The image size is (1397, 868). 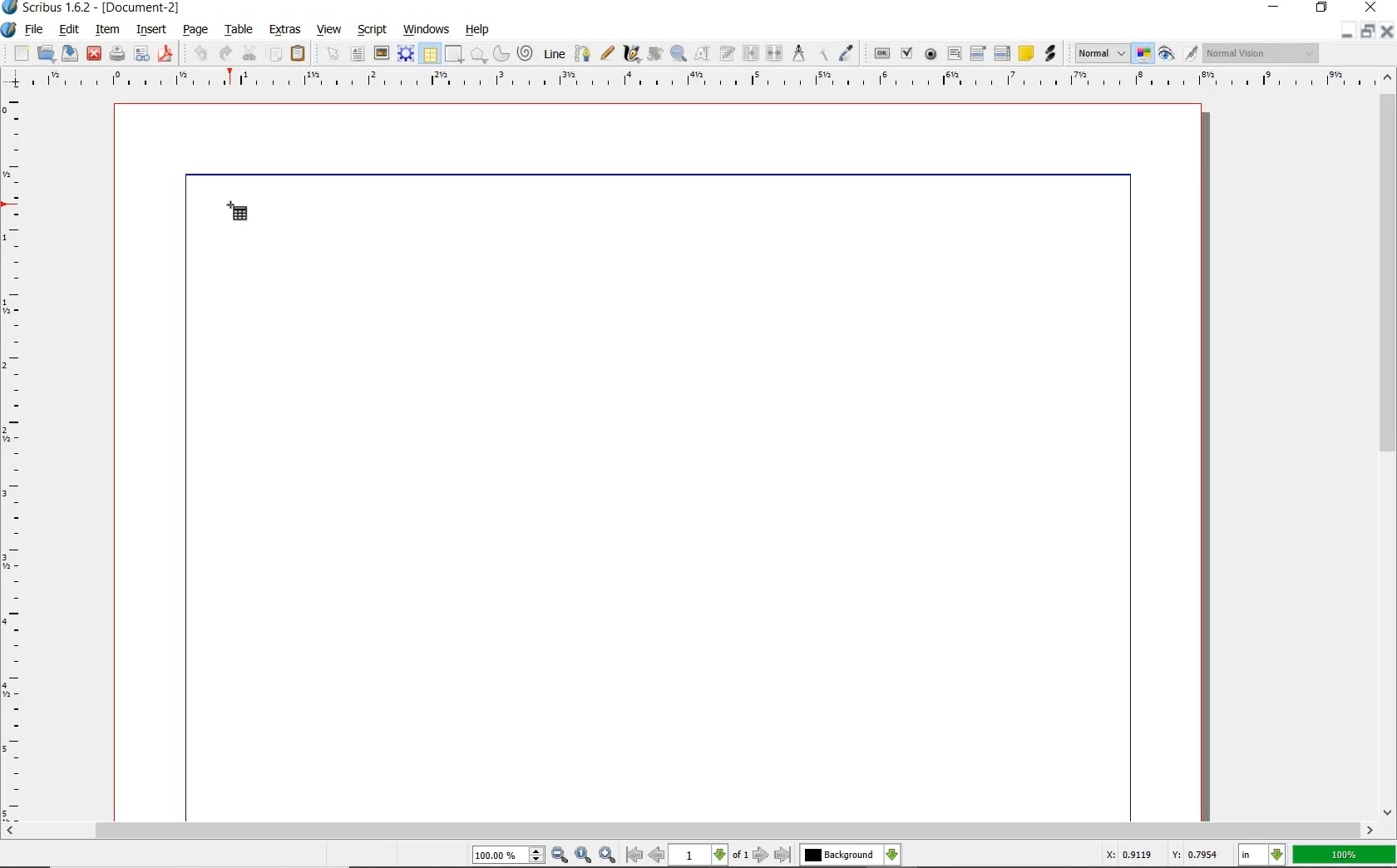 What do you see at coordinates (699, 55) in the screenshot?
I see `edit contents of frame` at bounding box center [699, 55].